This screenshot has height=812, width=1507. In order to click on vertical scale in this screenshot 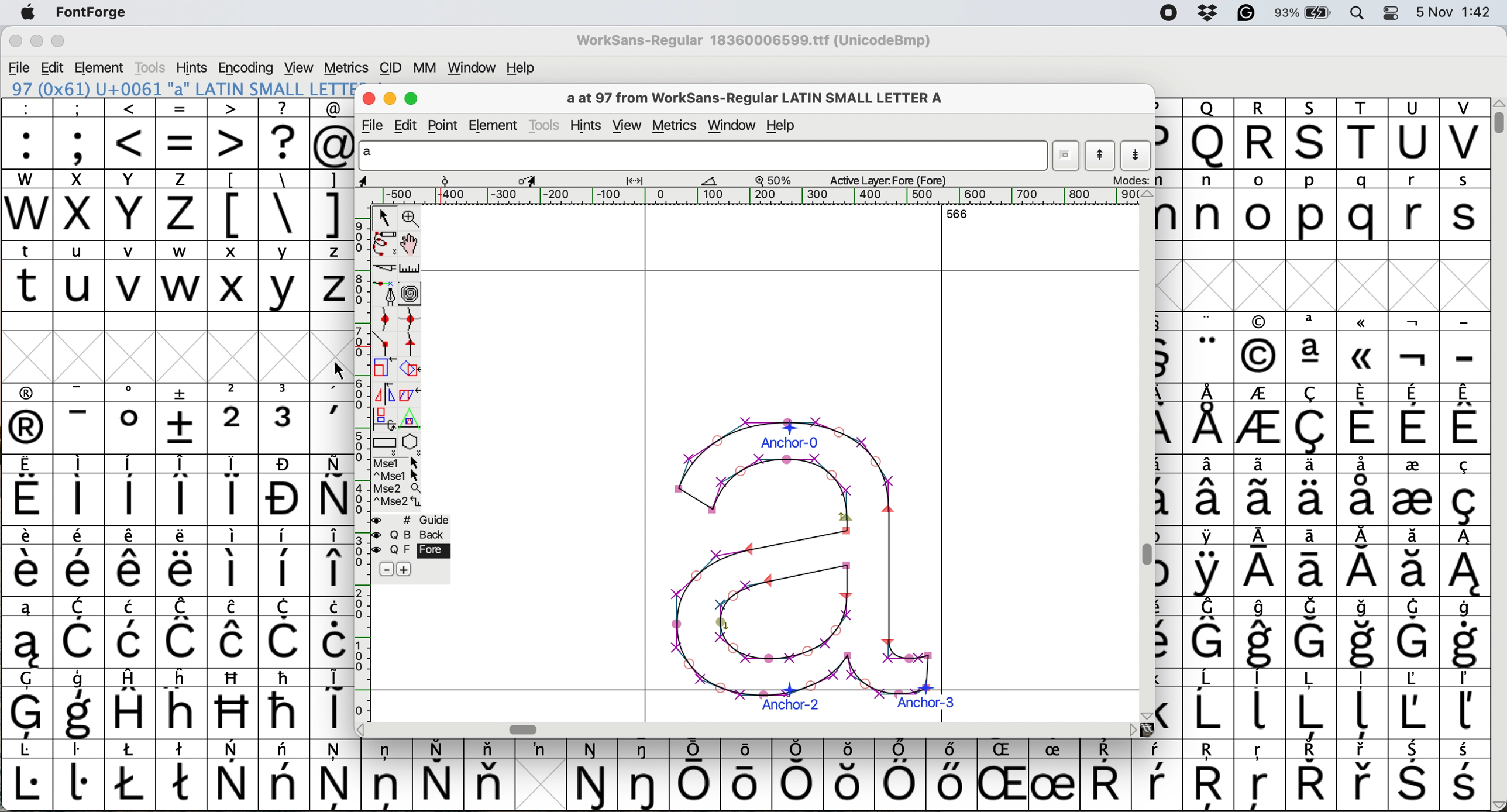, I will do `click(361, 466)`.